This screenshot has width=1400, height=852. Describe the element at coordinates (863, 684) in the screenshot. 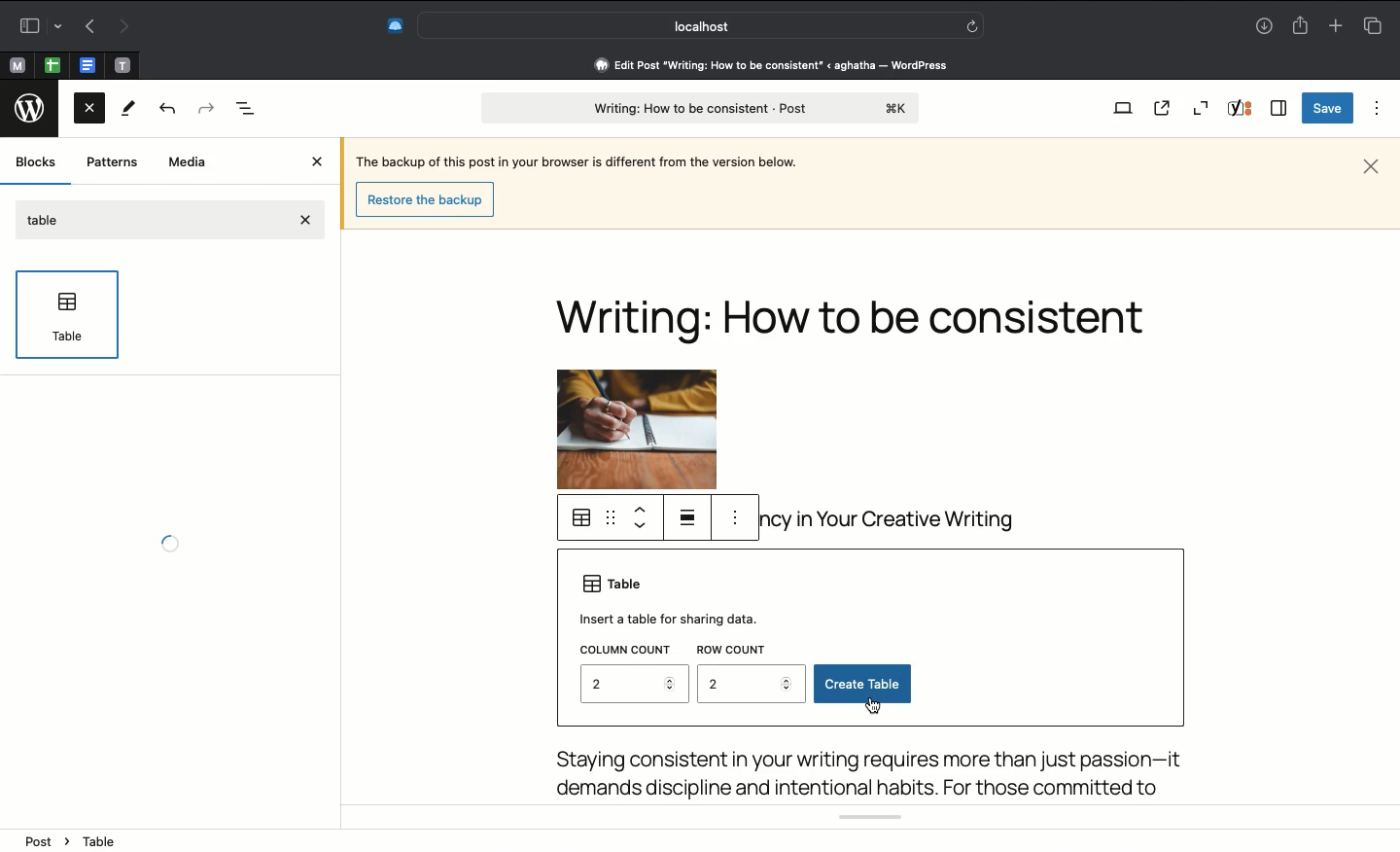

I see `Create table ` at that location.